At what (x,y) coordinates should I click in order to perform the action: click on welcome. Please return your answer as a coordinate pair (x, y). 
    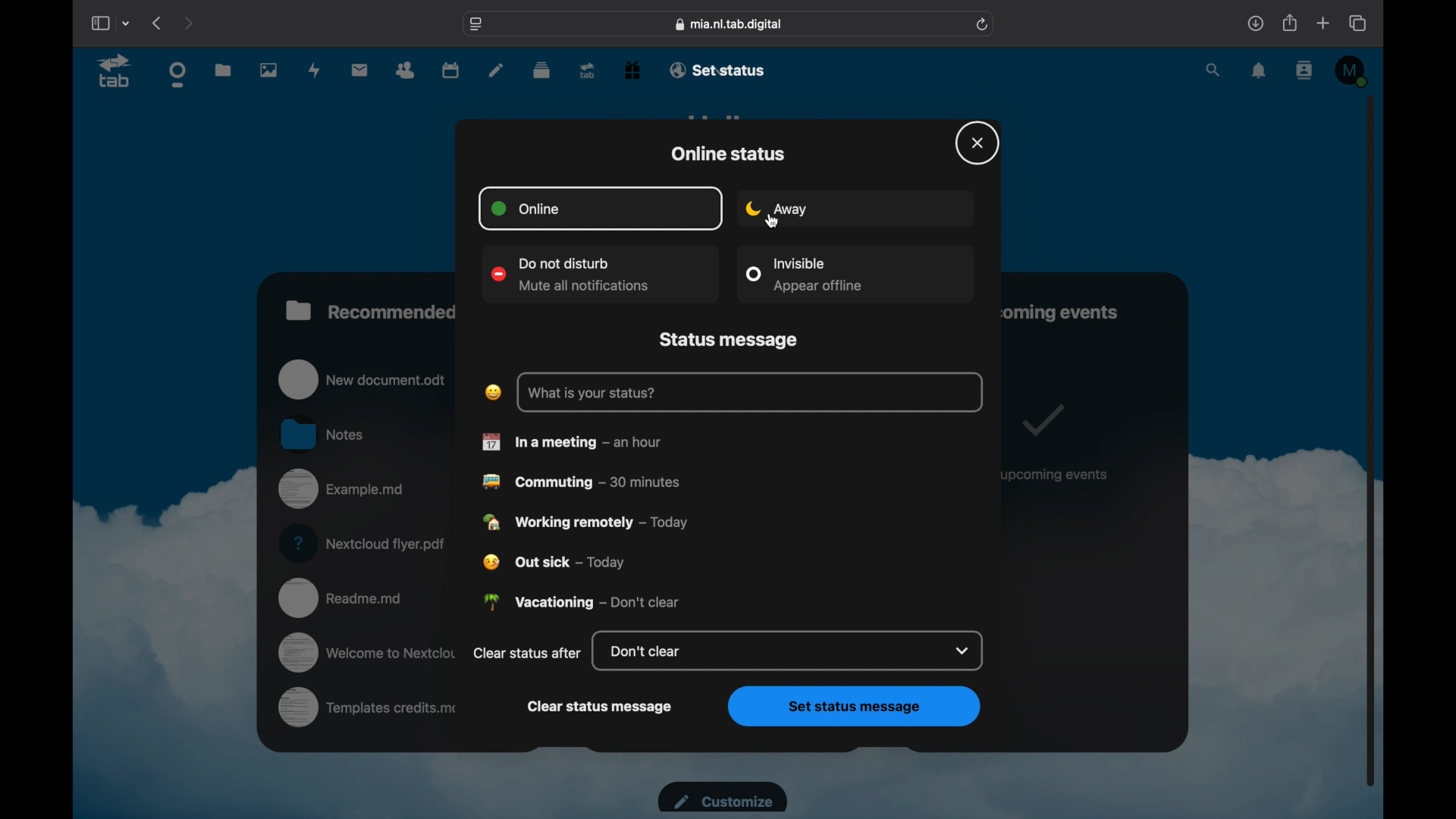
    Looking at the image, I should click on (369, 652).